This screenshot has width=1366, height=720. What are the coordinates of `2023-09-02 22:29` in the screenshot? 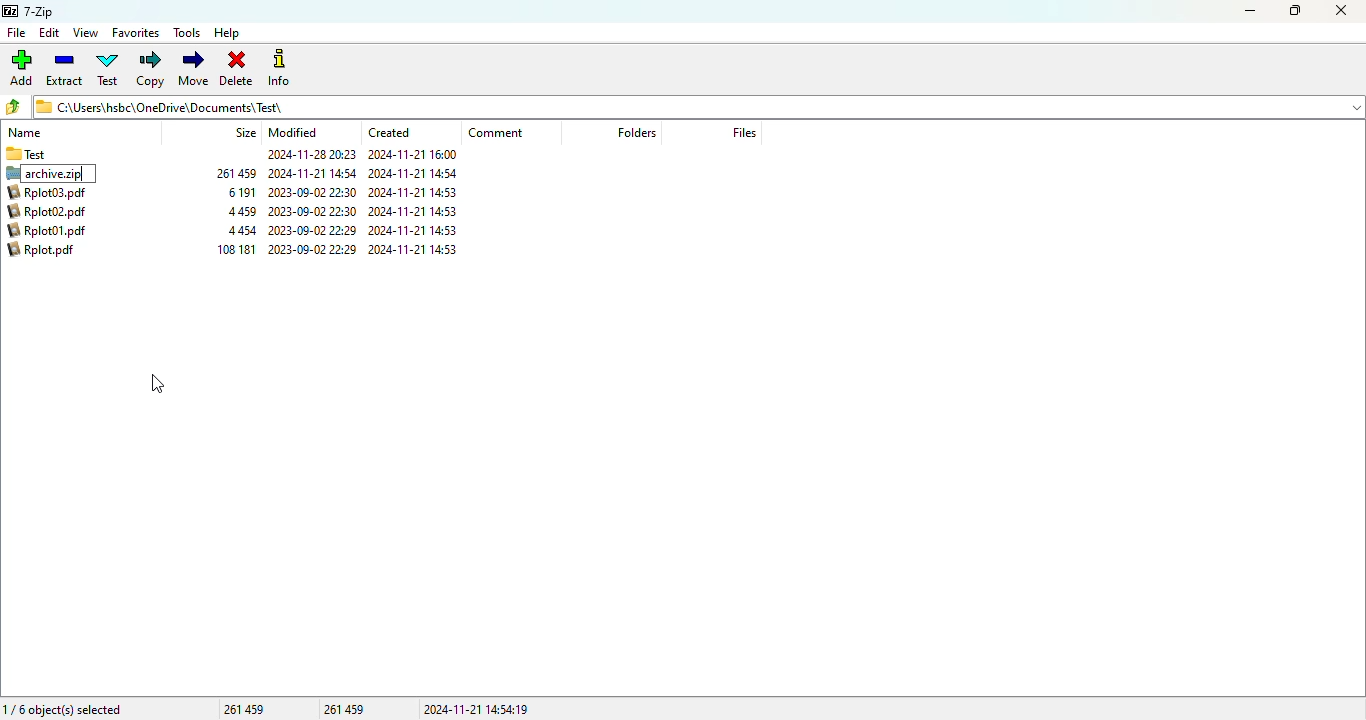 It's located at (315, 231).